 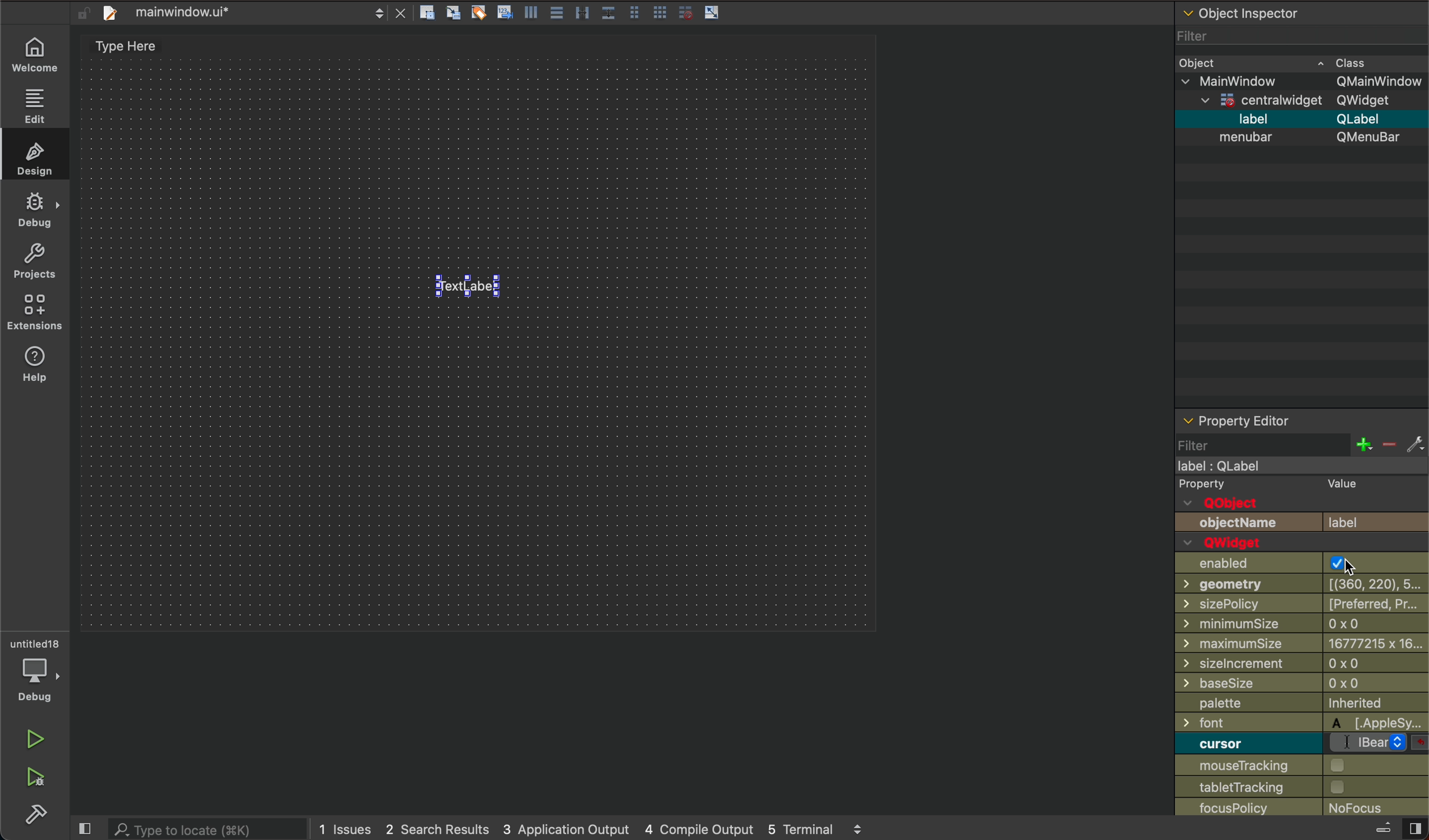 I want to click on wecome, so click(x=36, y=52).